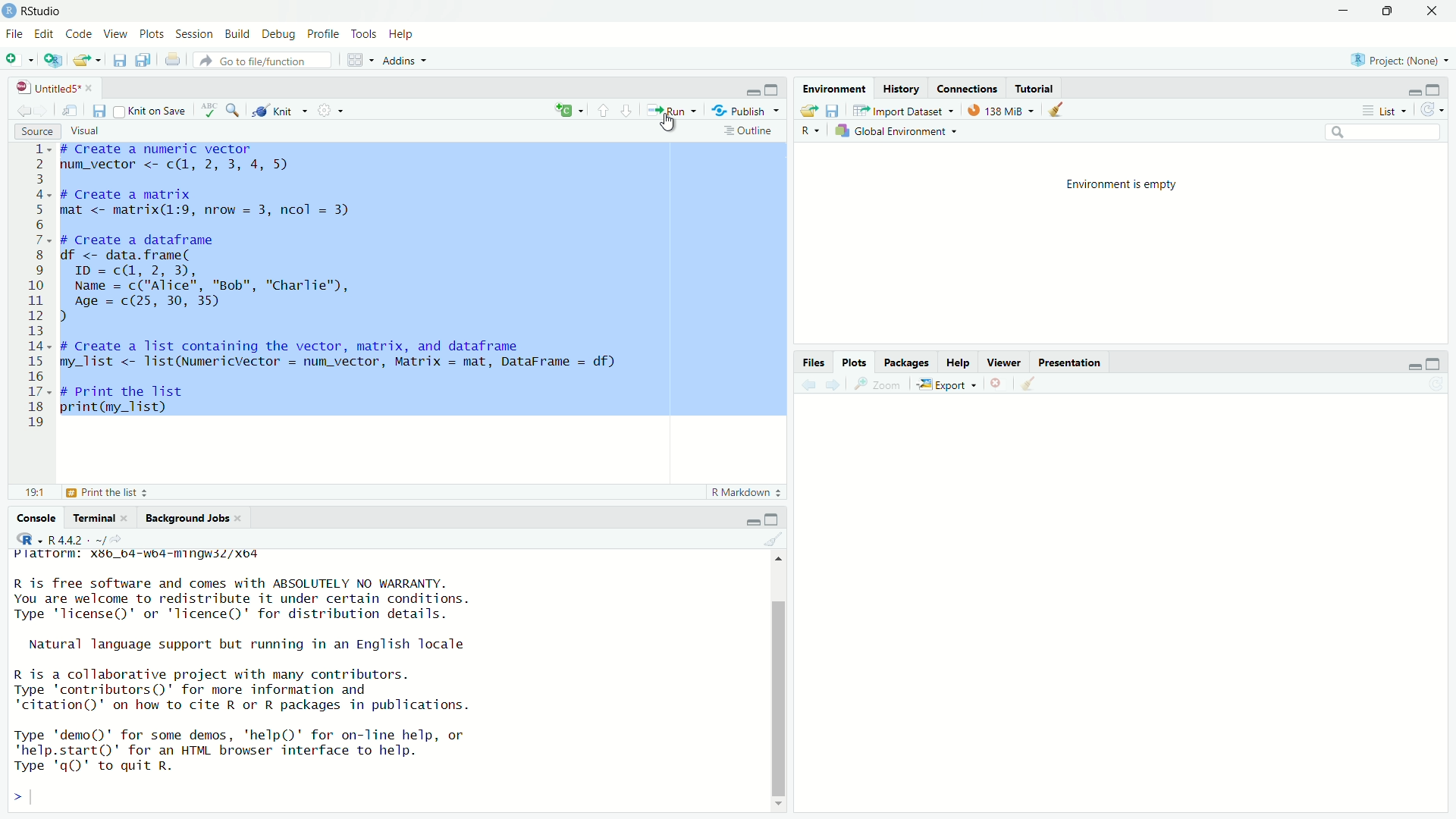  What do you see at coordinates (86, 63) in the screenshot?
I see `export` at bounding box center [86, 63].